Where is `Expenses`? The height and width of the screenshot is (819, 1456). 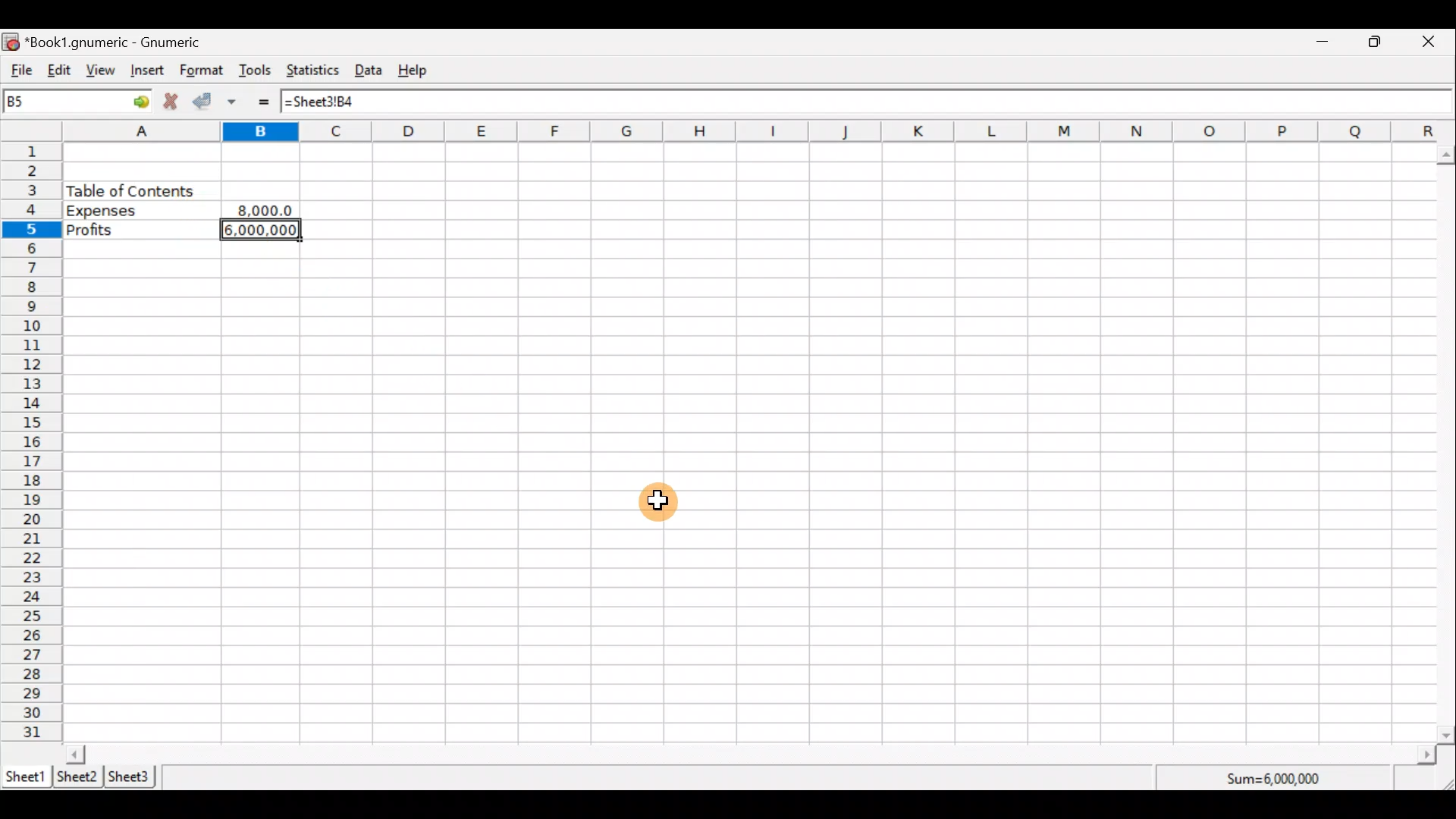 Expenses is located at coordinates (137, 211).